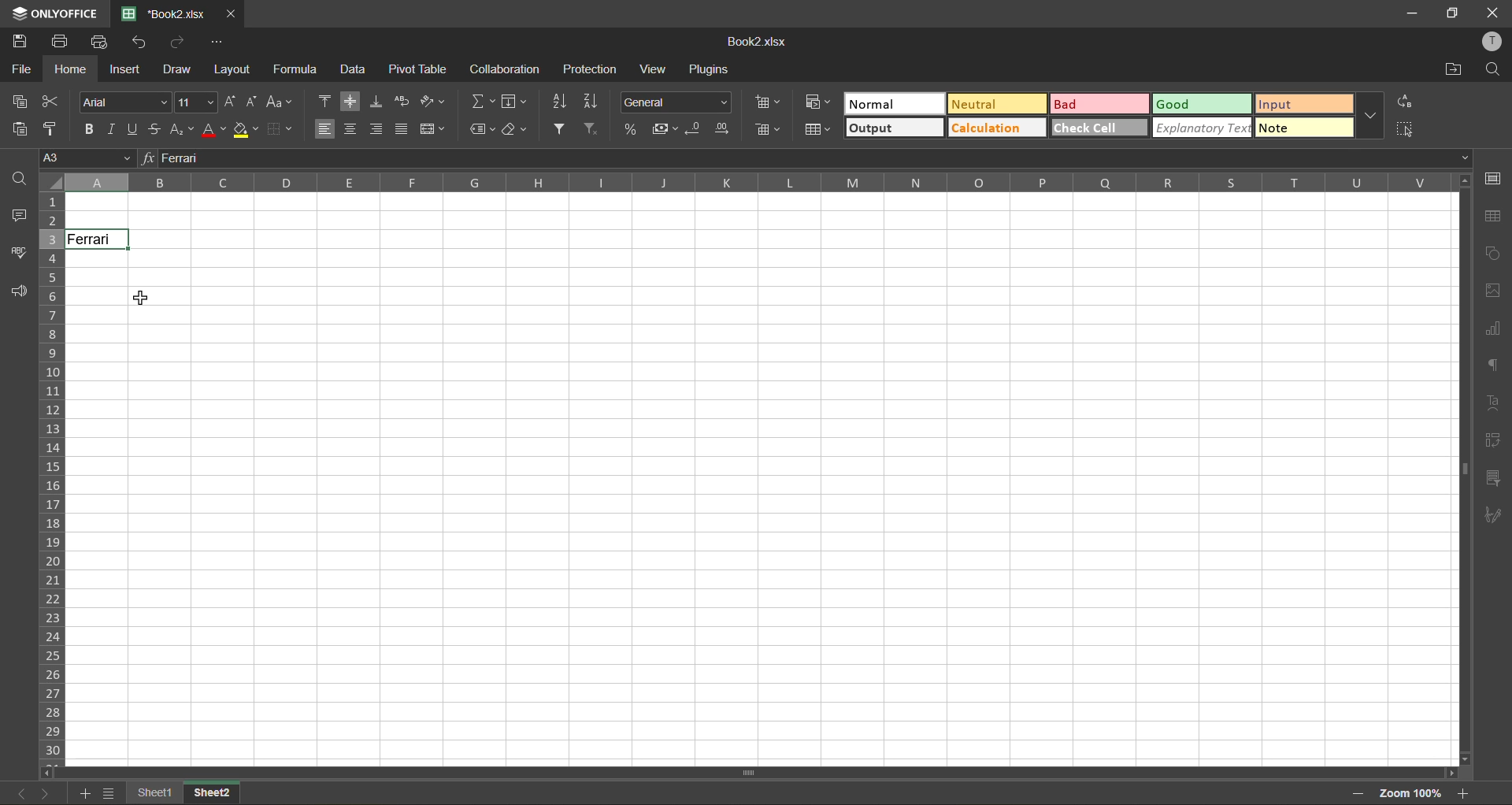  Describe the element at coordinates (432, 128) in the screenshot. I see `merge and center` at that location.